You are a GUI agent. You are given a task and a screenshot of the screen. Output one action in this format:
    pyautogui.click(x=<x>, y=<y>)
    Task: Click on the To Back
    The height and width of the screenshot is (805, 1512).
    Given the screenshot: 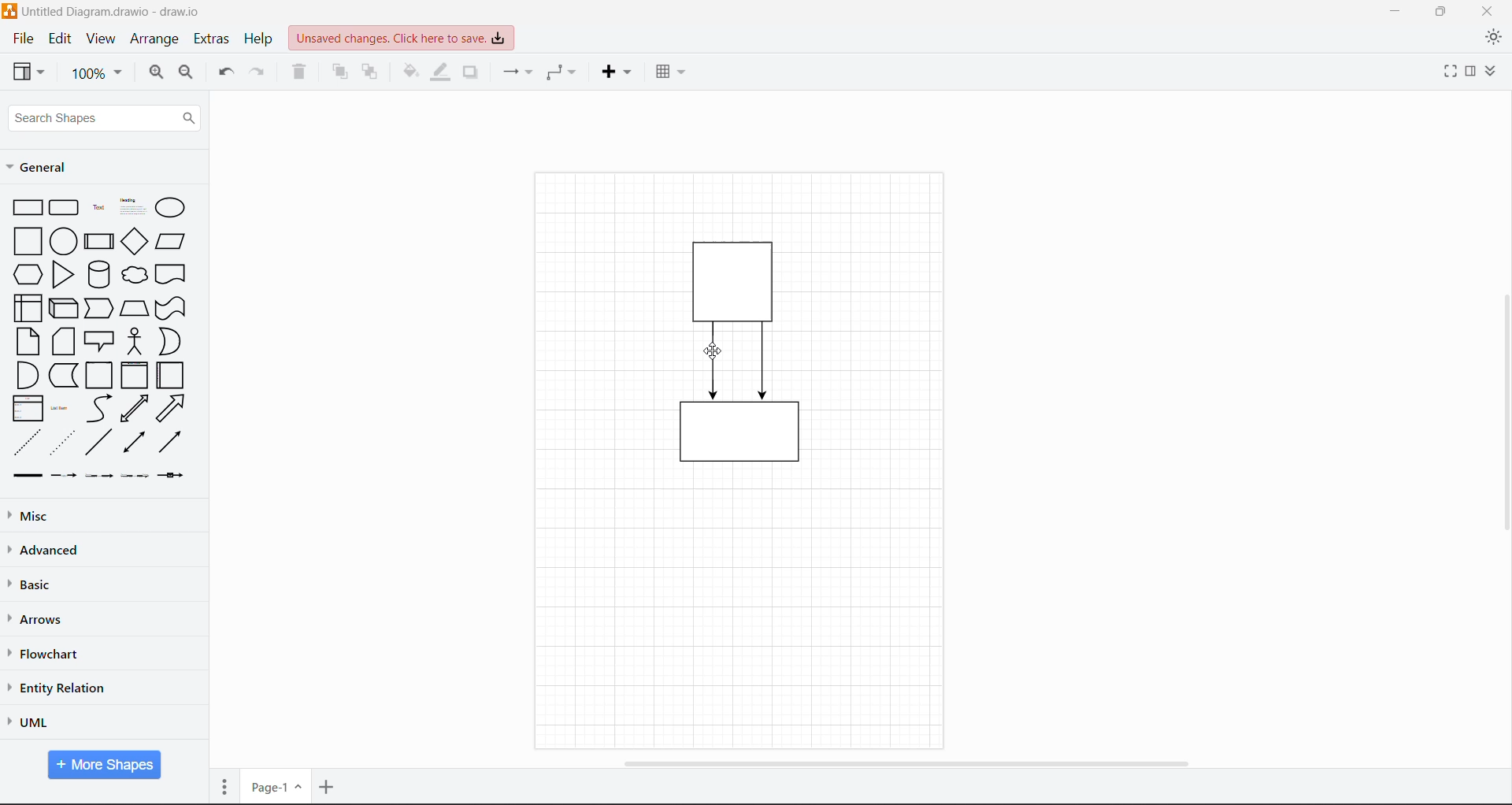 What is the action you would take?
    pyautogui.click(x=374, y=73)
    